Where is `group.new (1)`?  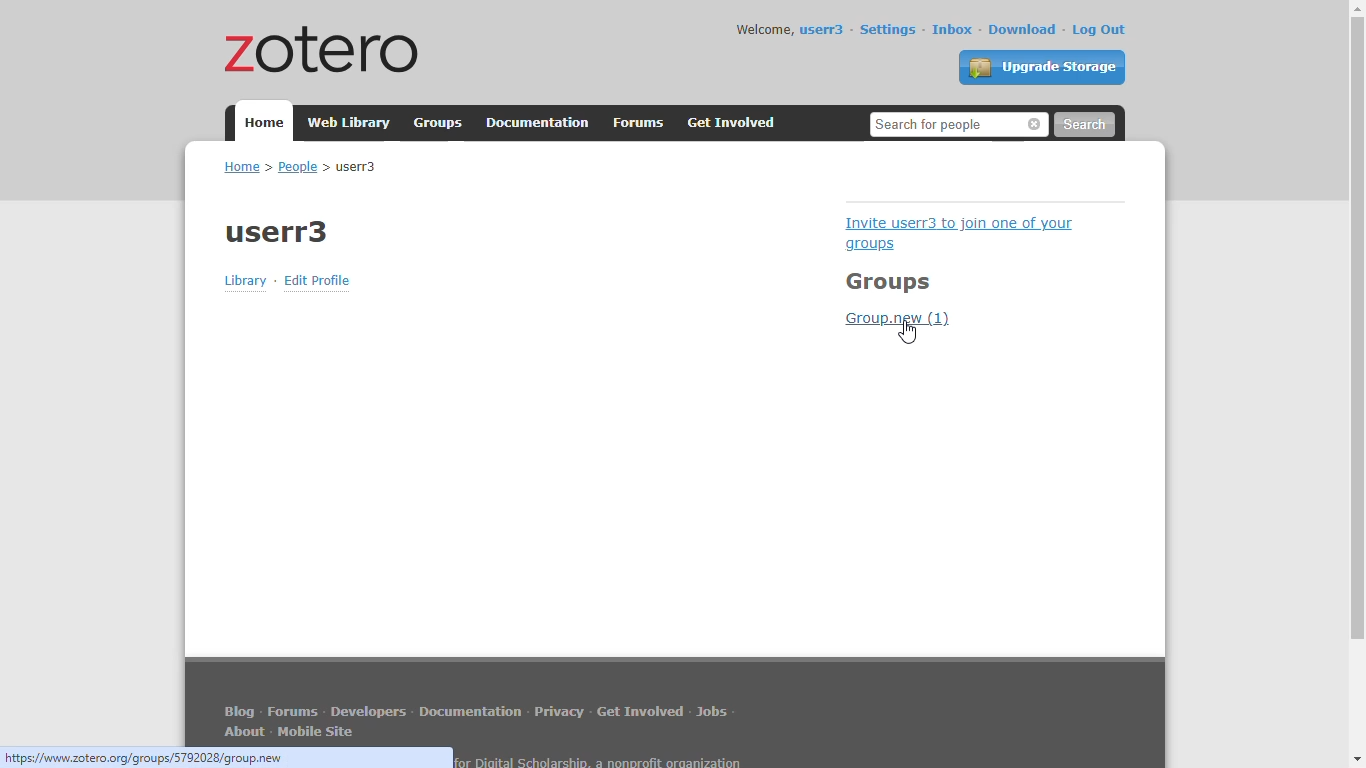
group.new (1) is located at coordinates (898, 318).